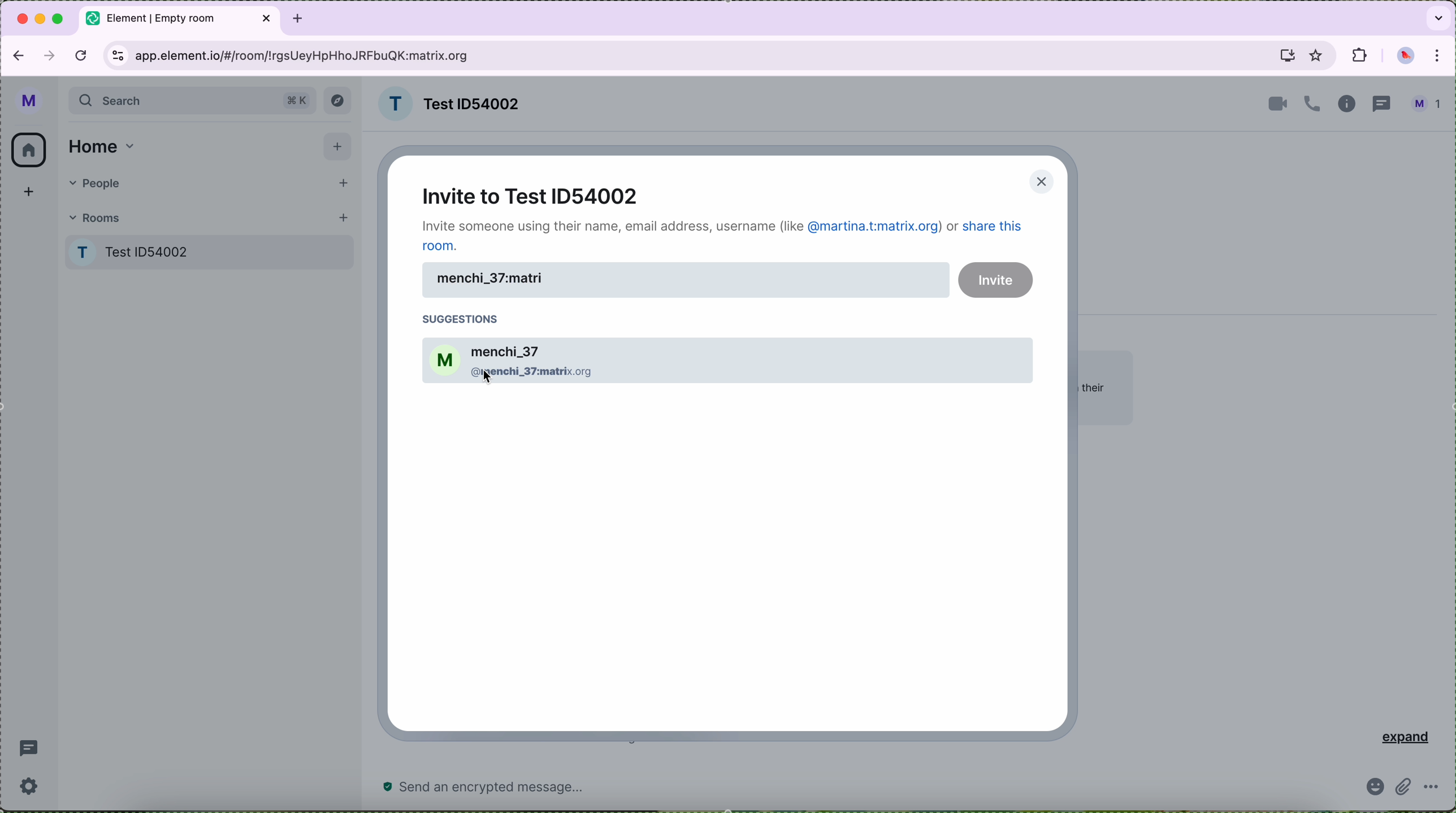 The height and width of the screenshot is (813, 1456). What do you see at coordinates (1429, 105) in the screenshot?
I see `profile` at bounding box center [1429, 105].